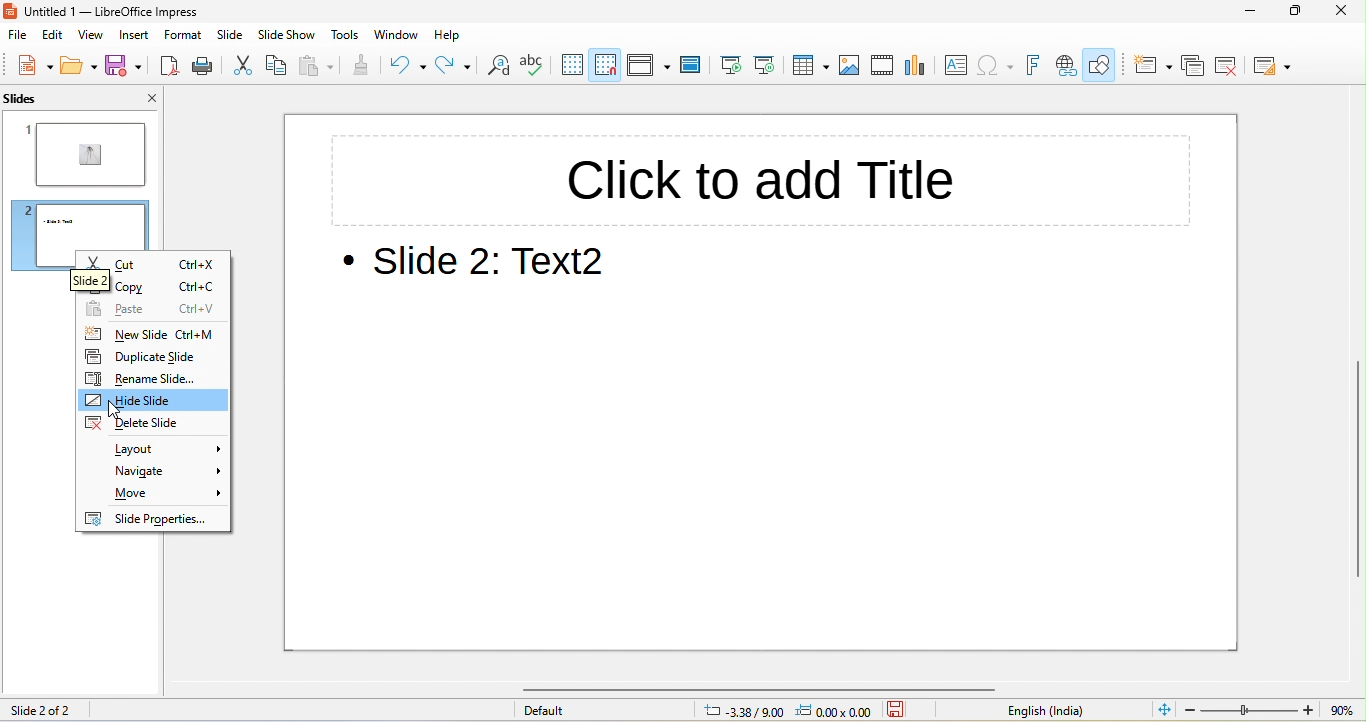  I want to click on new, so click(29, 67).